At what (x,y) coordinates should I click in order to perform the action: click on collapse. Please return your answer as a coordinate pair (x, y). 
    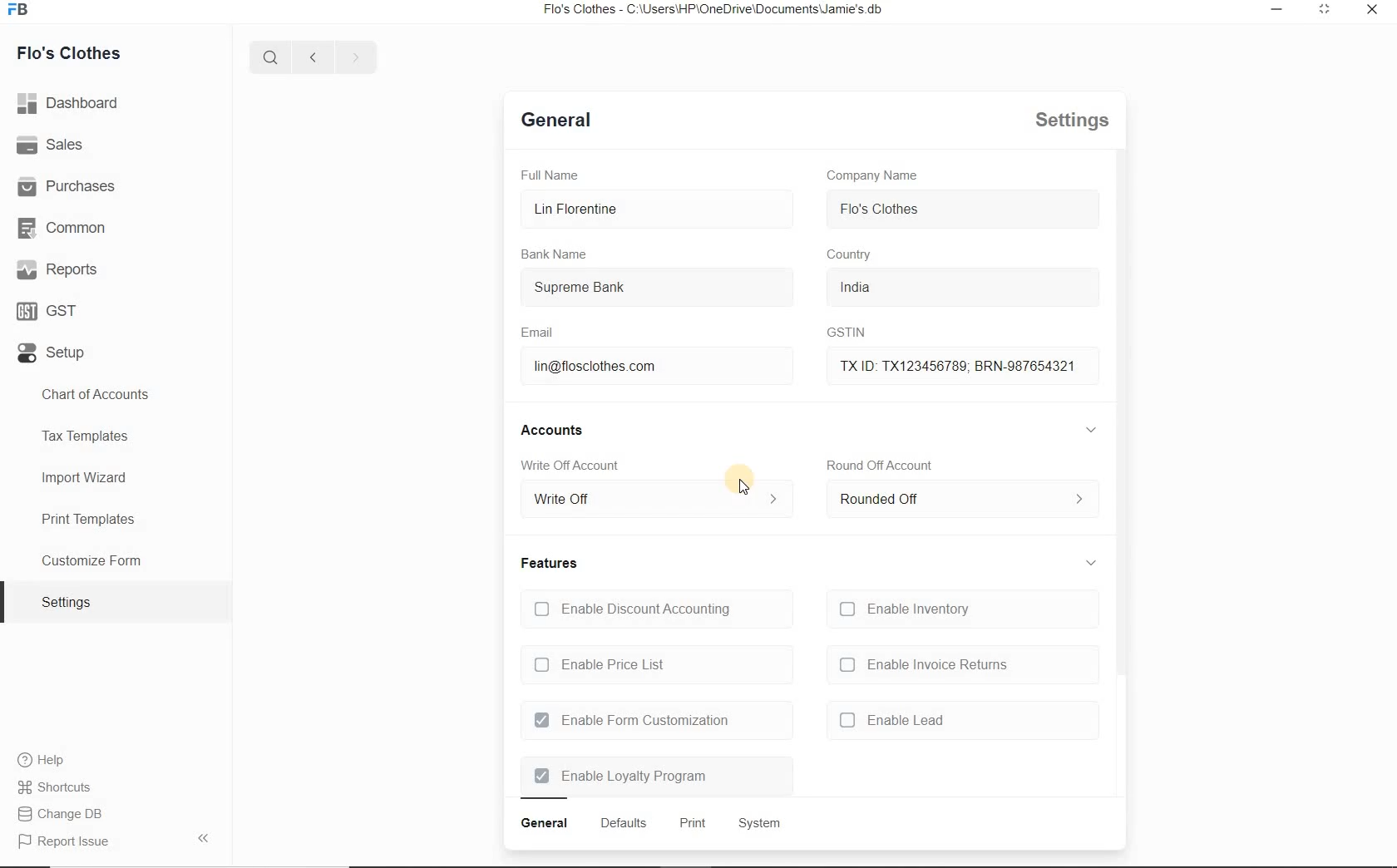
    Looking at the image, I should click on (1092, 559).